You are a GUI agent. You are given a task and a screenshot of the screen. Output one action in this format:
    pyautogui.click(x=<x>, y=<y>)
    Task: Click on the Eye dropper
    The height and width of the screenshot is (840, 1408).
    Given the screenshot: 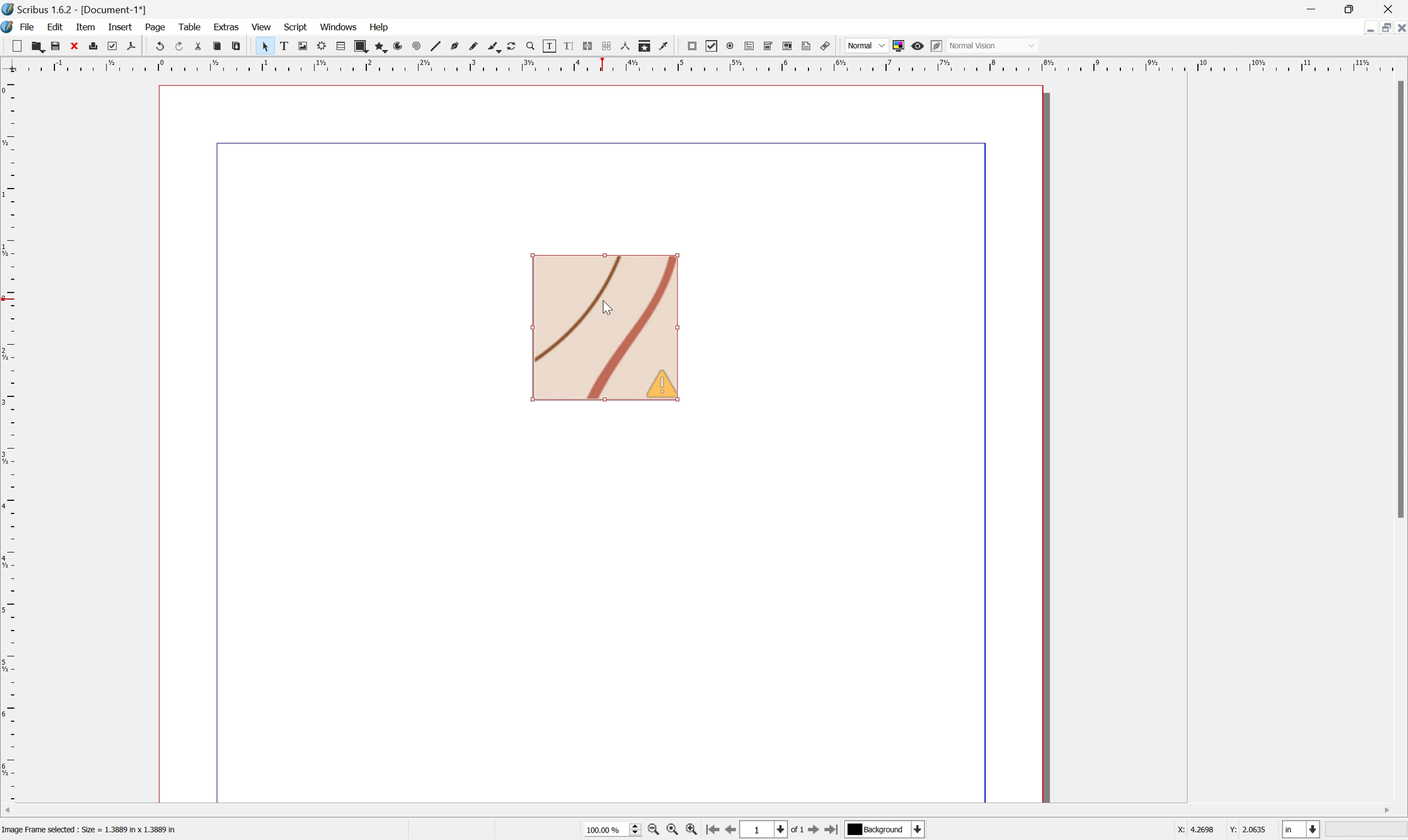 What is the action you would take?
    pyautogui.click(x=667, y=46)
    